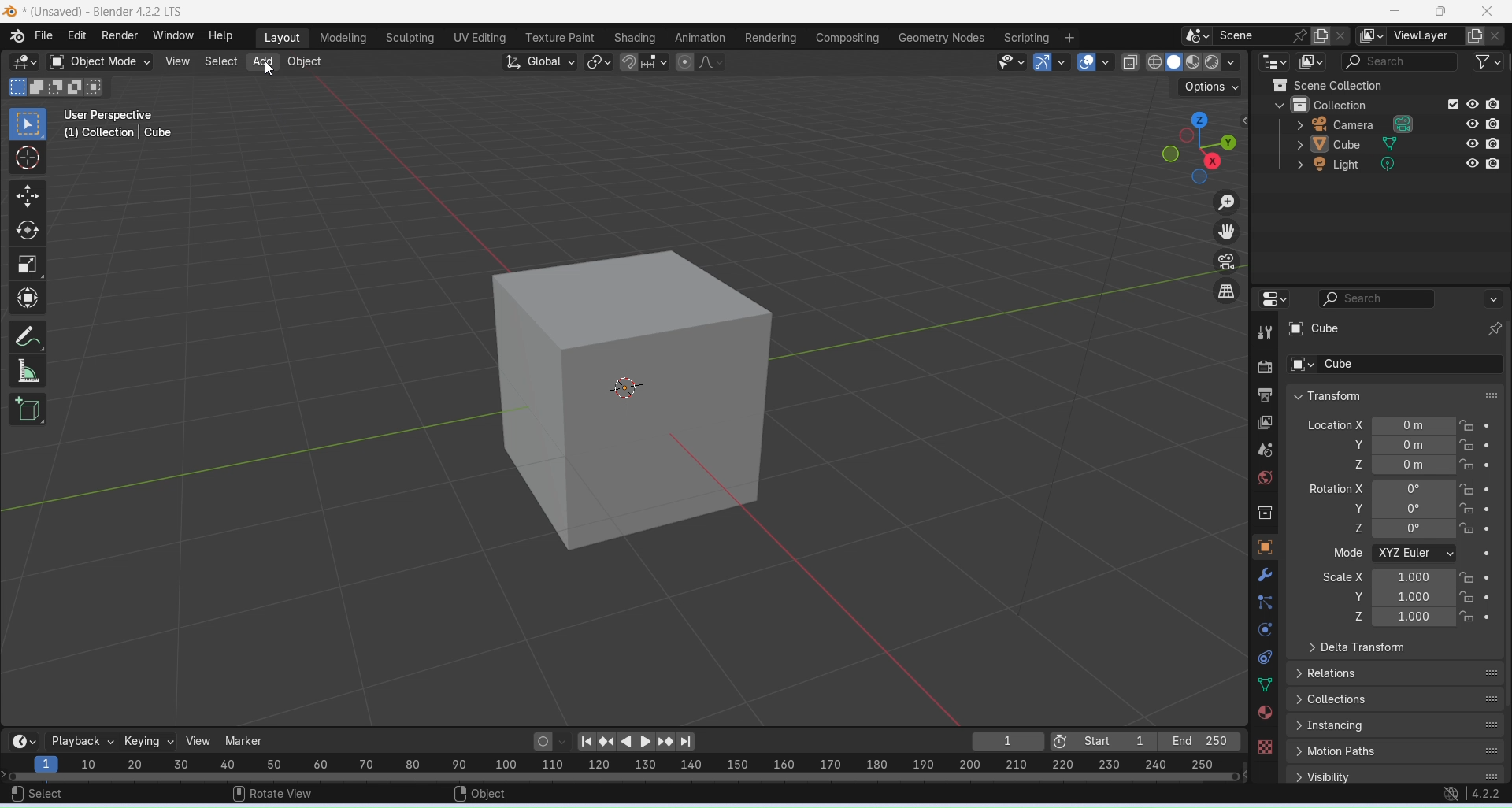 The height and width of the screenshot is (808, 1512). I want to click on Scene, so click(1248, 35).